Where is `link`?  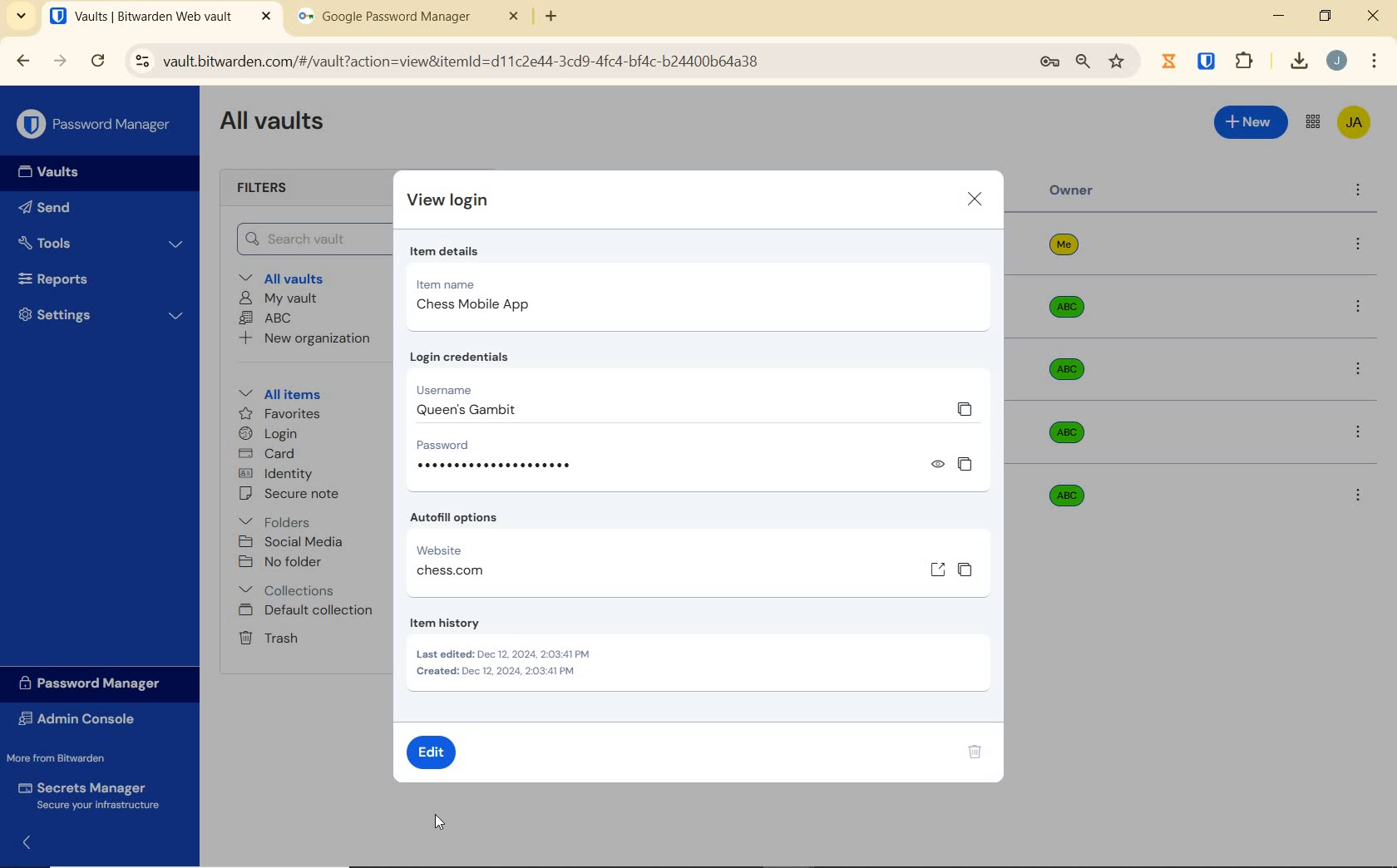 link is located at coordinates (939, 569).